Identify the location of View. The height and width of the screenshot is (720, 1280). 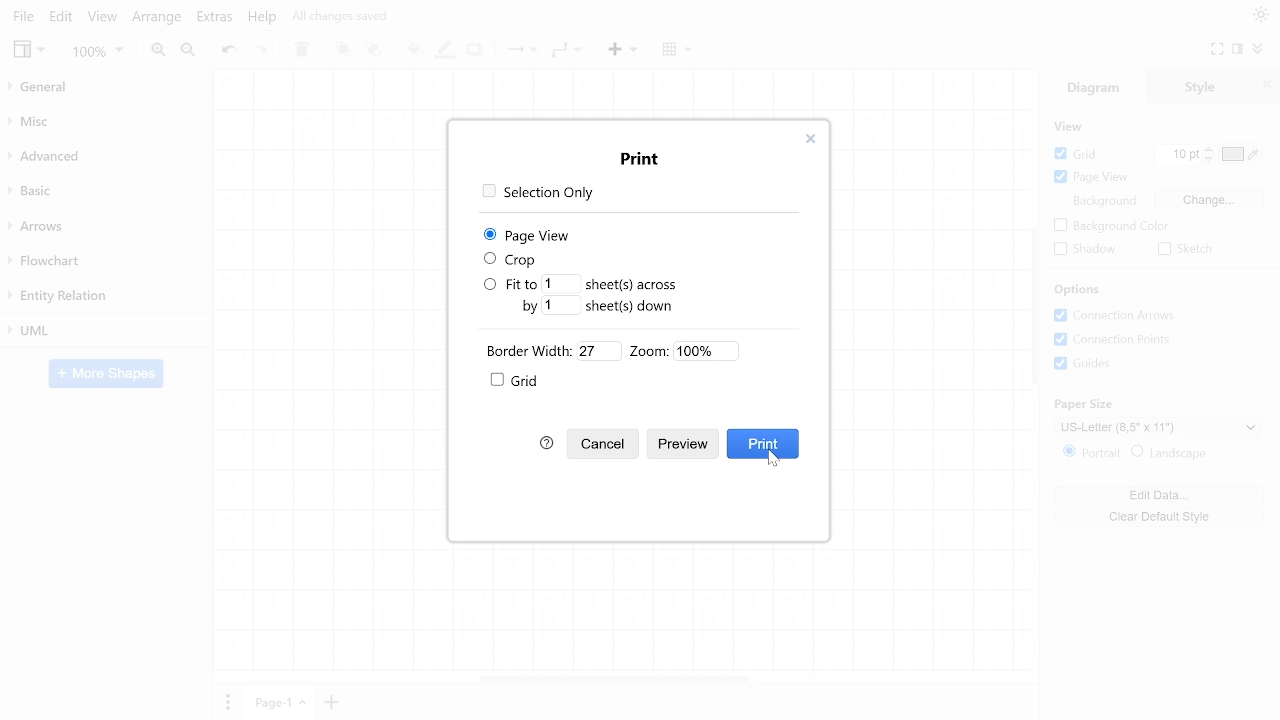
(1069, 127).